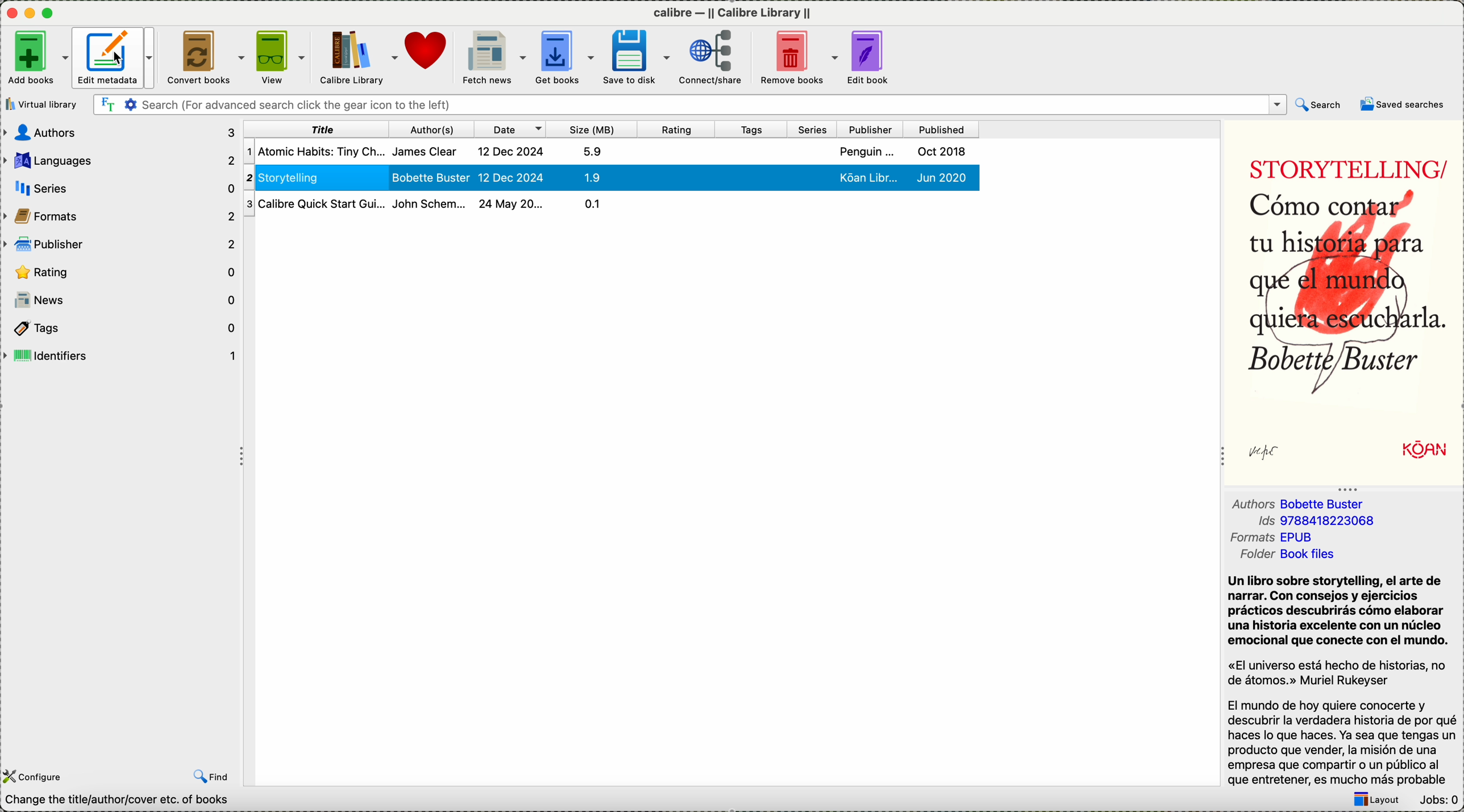  I want to click on rating, so click(122, 271).